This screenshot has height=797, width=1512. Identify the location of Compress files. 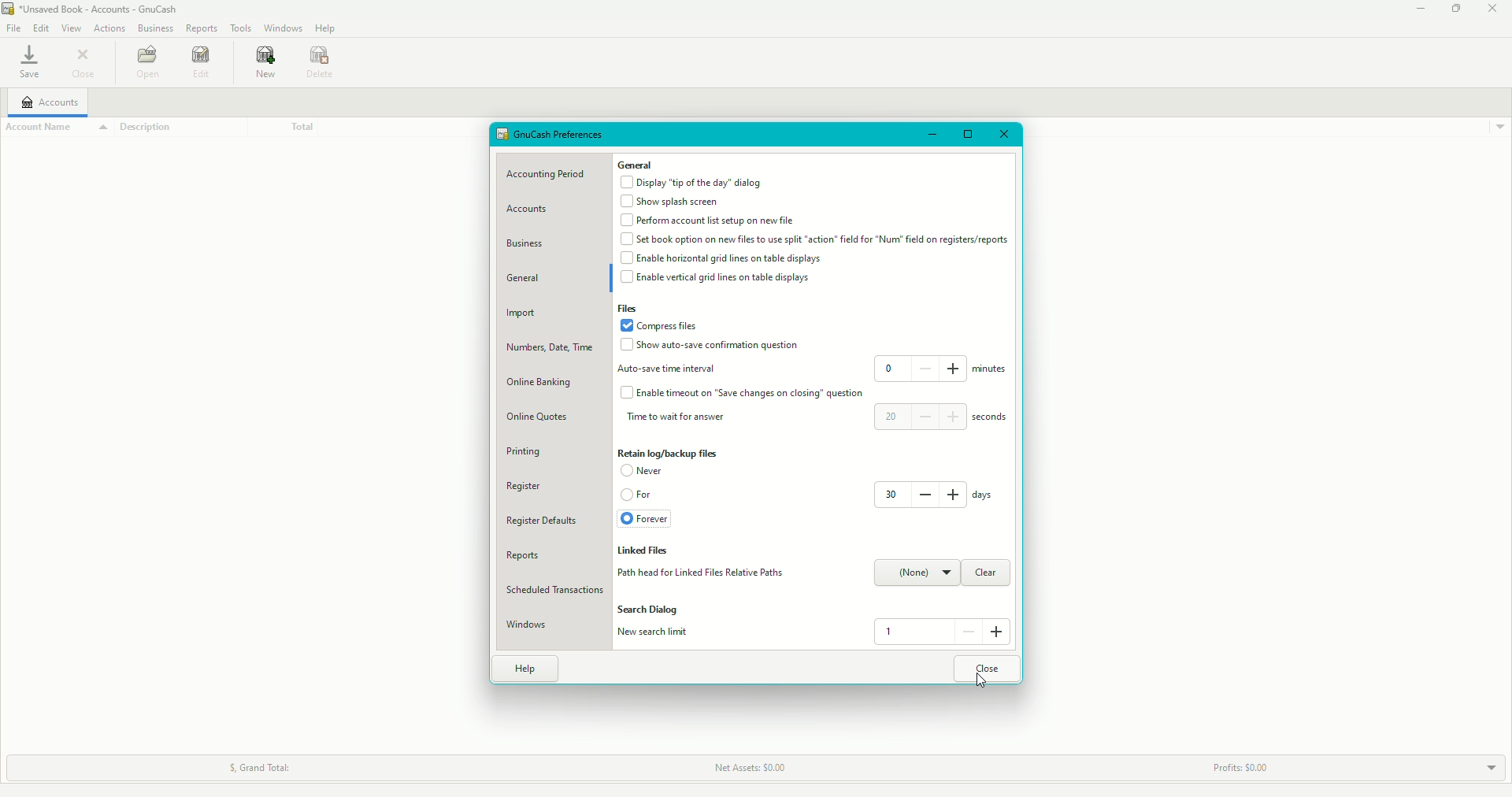
(664, 325).